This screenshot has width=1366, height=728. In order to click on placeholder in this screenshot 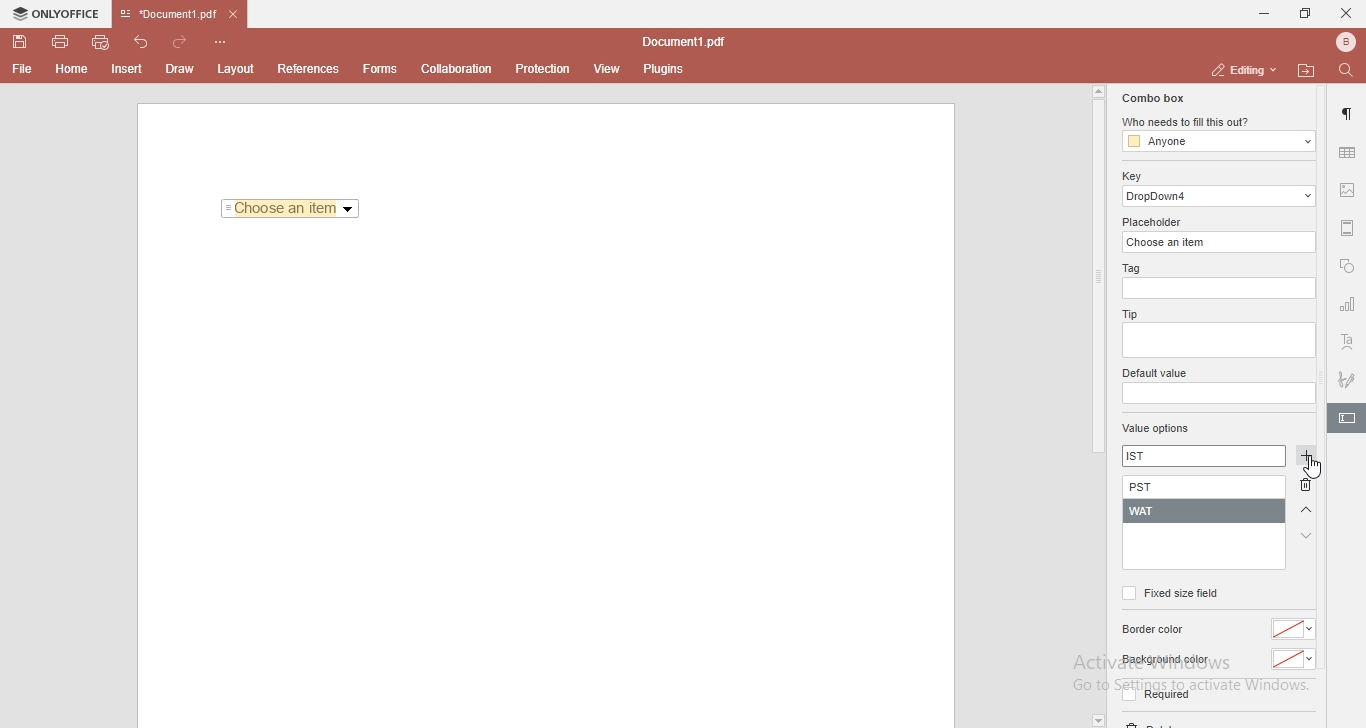, I will do `click(1155, 222)`.